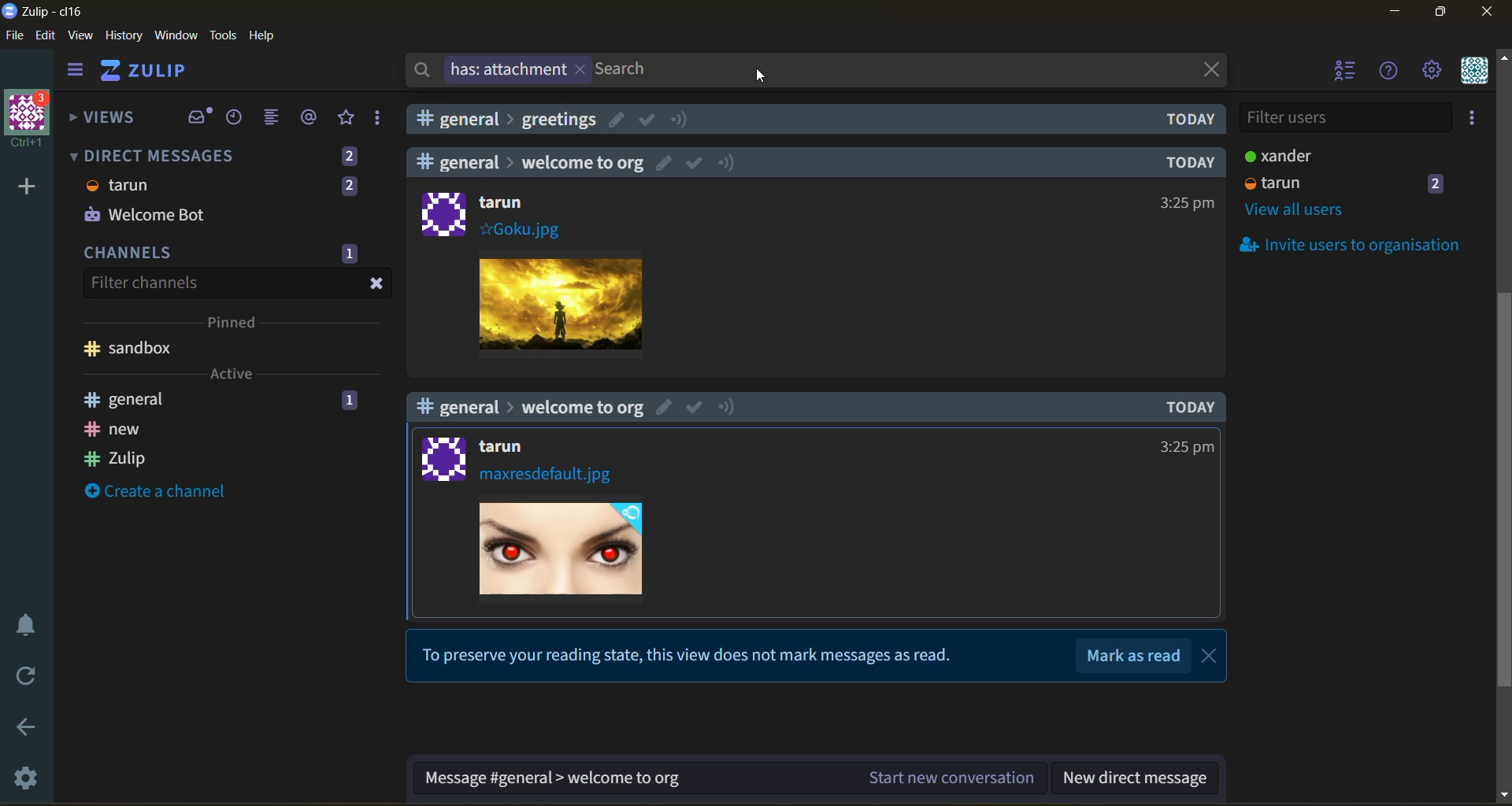 The height and width of the screenshot is (806, 1512). Describe the element at coordinates (263, 35) in the screenshot. I see `help` at that location.